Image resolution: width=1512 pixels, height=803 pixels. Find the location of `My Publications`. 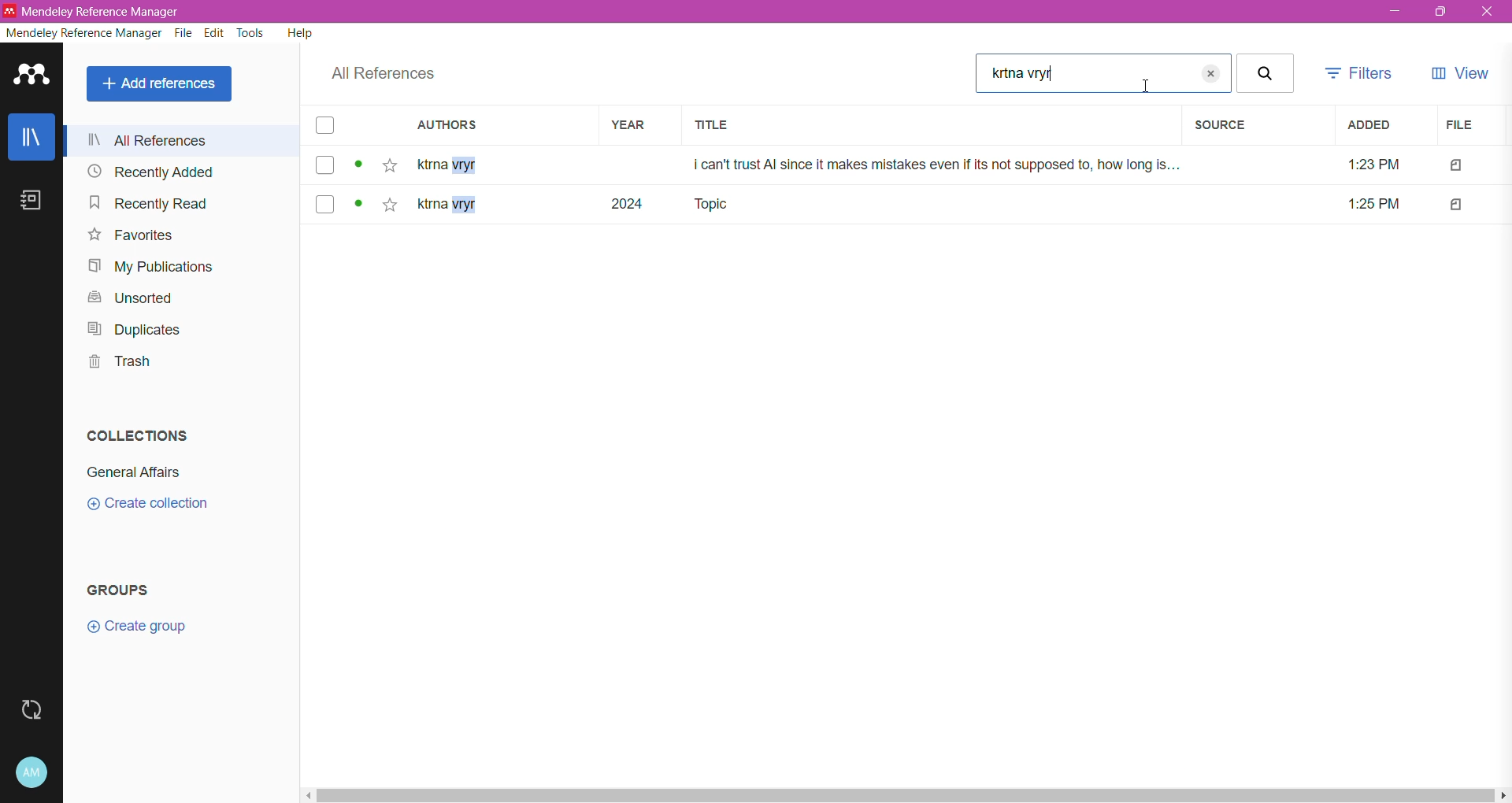

My Publications is located at coordinates (149, 266).